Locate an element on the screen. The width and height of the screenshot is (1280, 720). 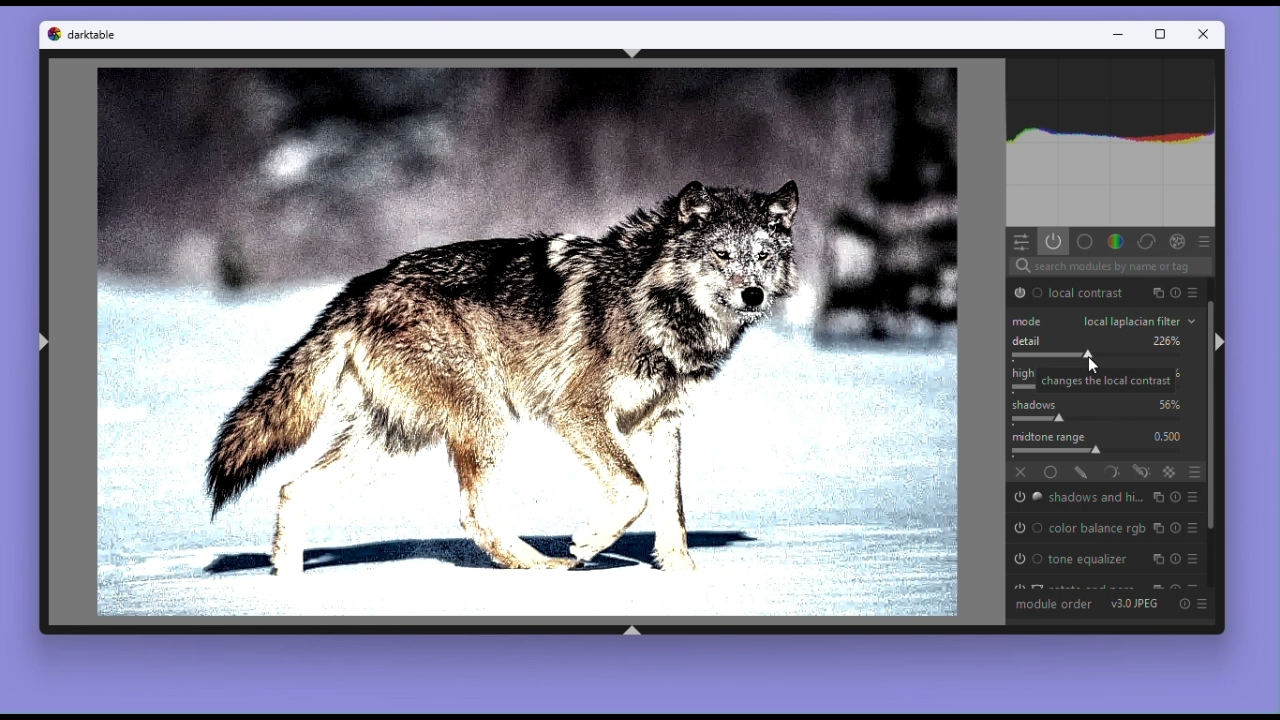
base is located at coordinates (1085, 241).